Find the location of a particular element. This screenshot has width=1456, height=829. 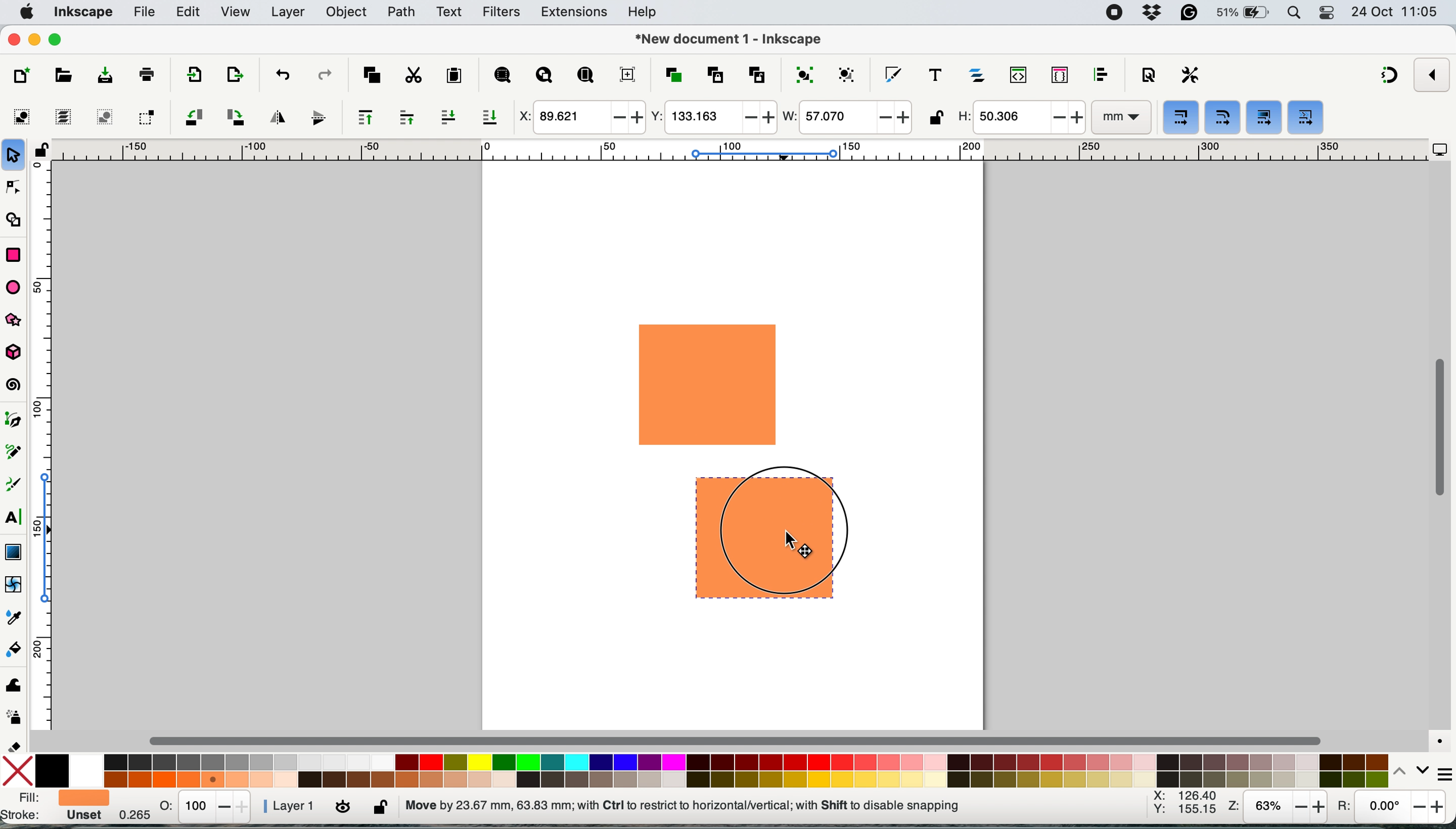

erase tool is located at coordinates (16, 746).